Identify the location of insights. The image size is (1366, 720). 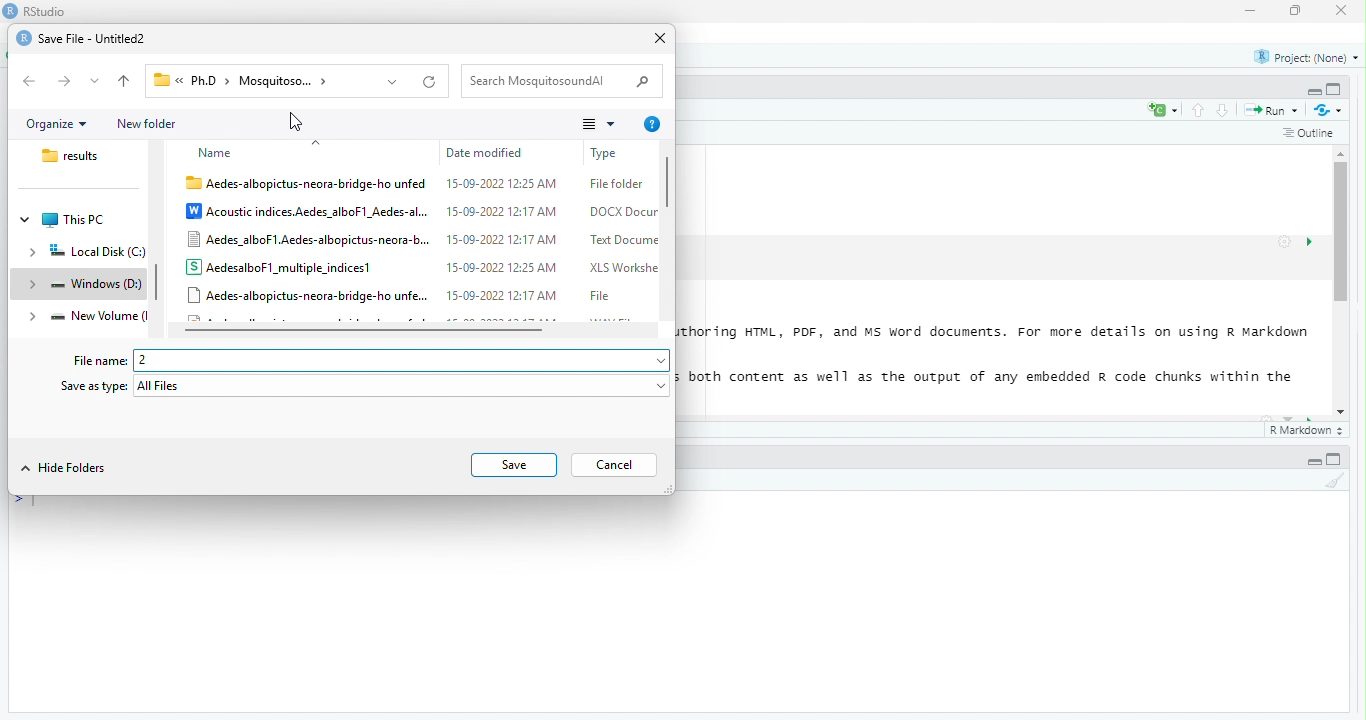
(1310, 242).